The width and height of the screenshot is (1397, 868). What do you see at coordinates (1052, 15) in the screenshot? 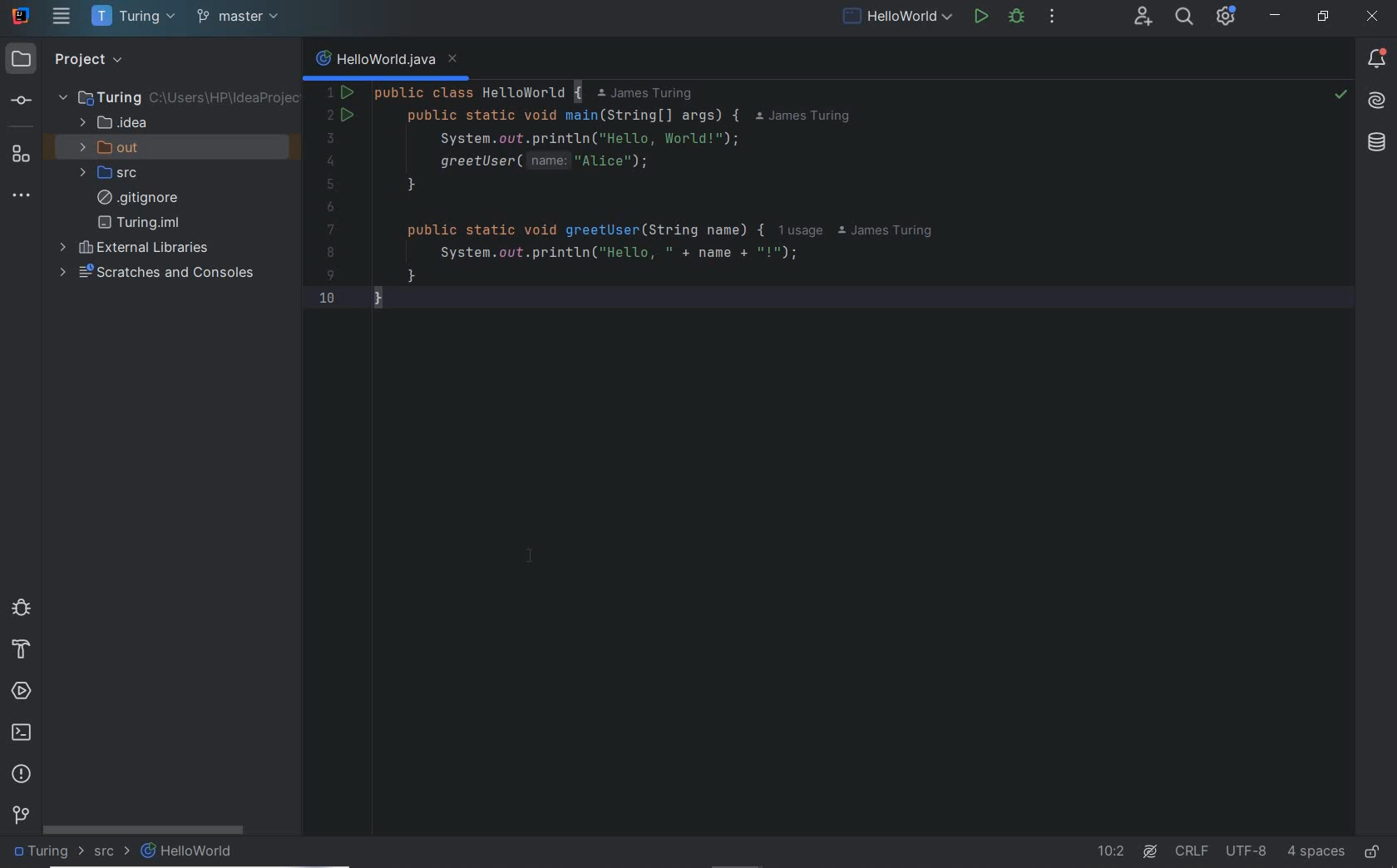
I see `MORE ACTIONS` at bounding box center [1052, 15].